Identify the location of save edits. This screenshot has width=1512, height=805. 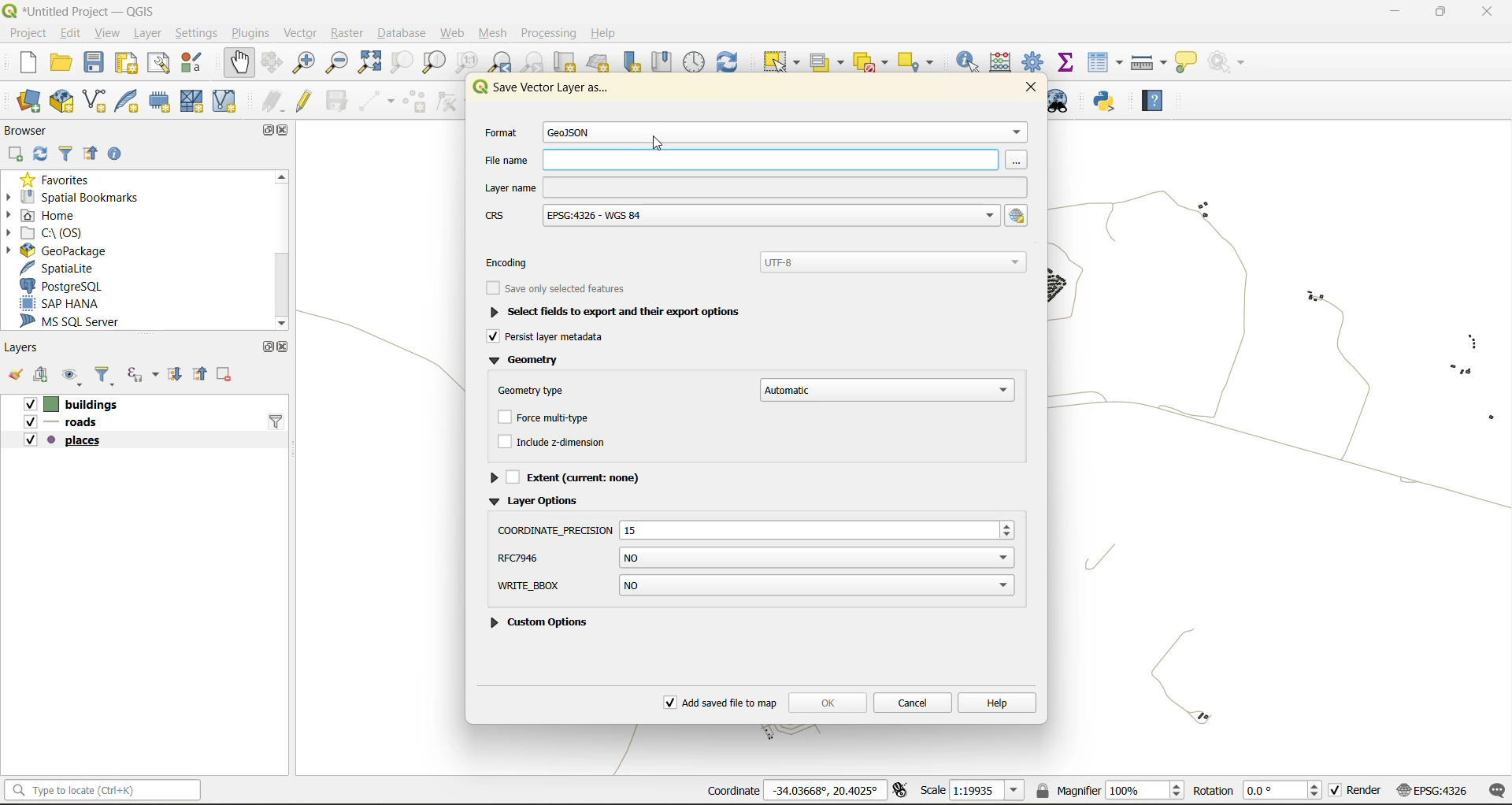
(339, 99).